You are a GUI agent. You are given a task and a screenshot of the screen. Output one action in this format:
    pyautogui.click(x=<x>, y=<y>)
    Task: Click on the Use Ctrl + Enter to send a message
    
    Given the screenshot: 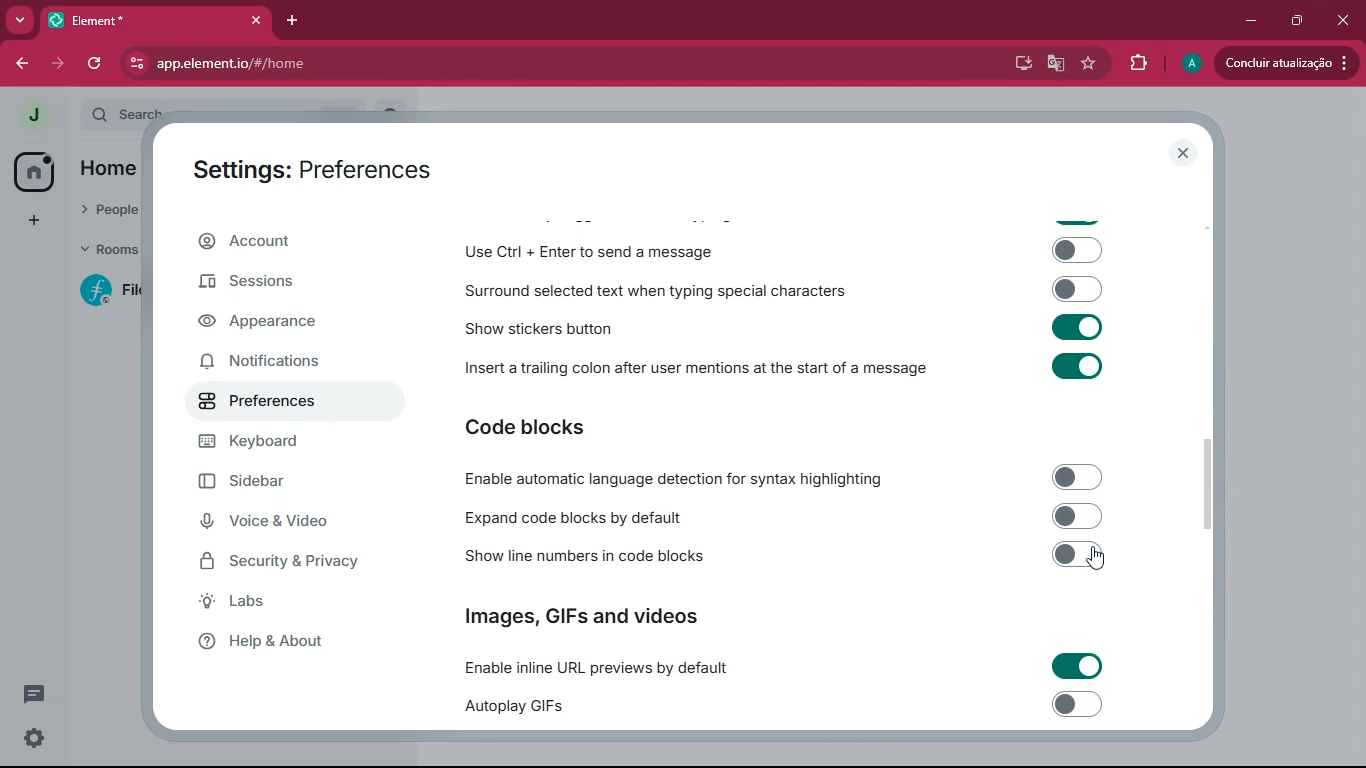 What is the action you would take?
    pyautogui.click(x=782, y=252)
    